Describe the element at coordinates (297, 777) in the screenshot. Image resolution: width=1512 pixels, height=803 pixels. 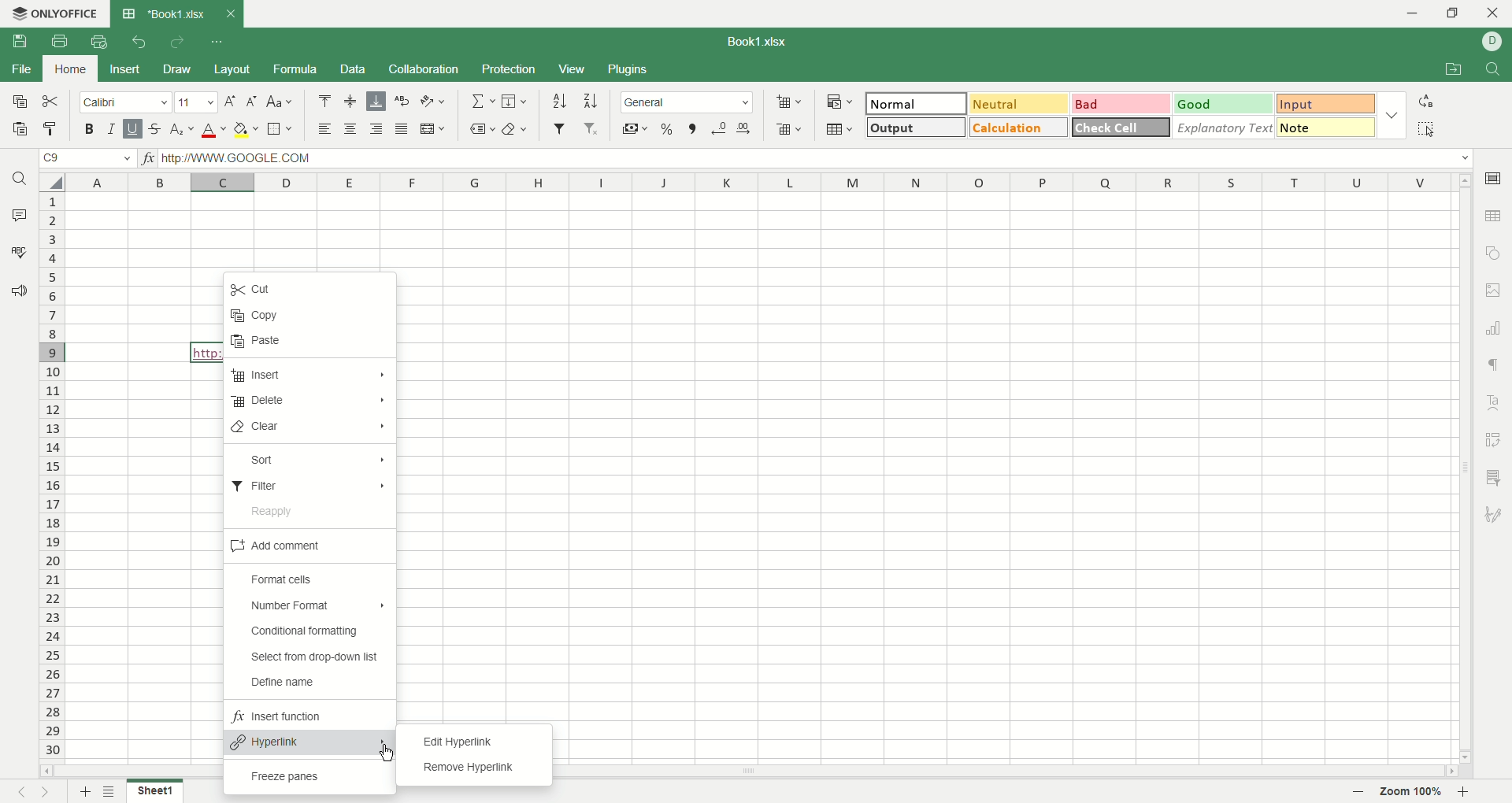
I see `freeze panes` at that location.